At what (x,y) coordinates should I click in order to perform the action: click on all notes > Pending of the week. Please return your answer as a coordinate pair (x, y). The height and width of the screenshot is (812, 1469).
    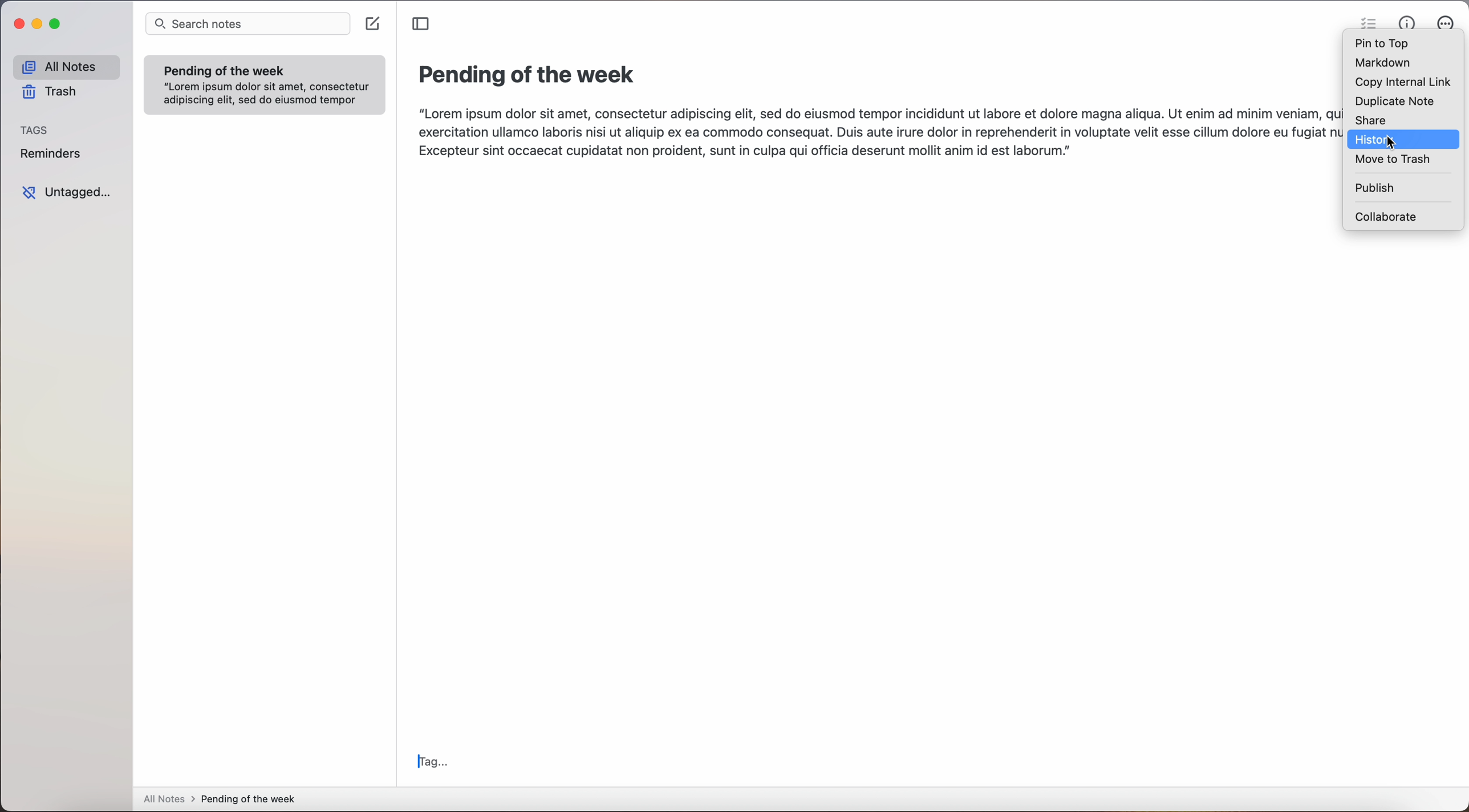
    Looking at the image, I should click on (223, 801).